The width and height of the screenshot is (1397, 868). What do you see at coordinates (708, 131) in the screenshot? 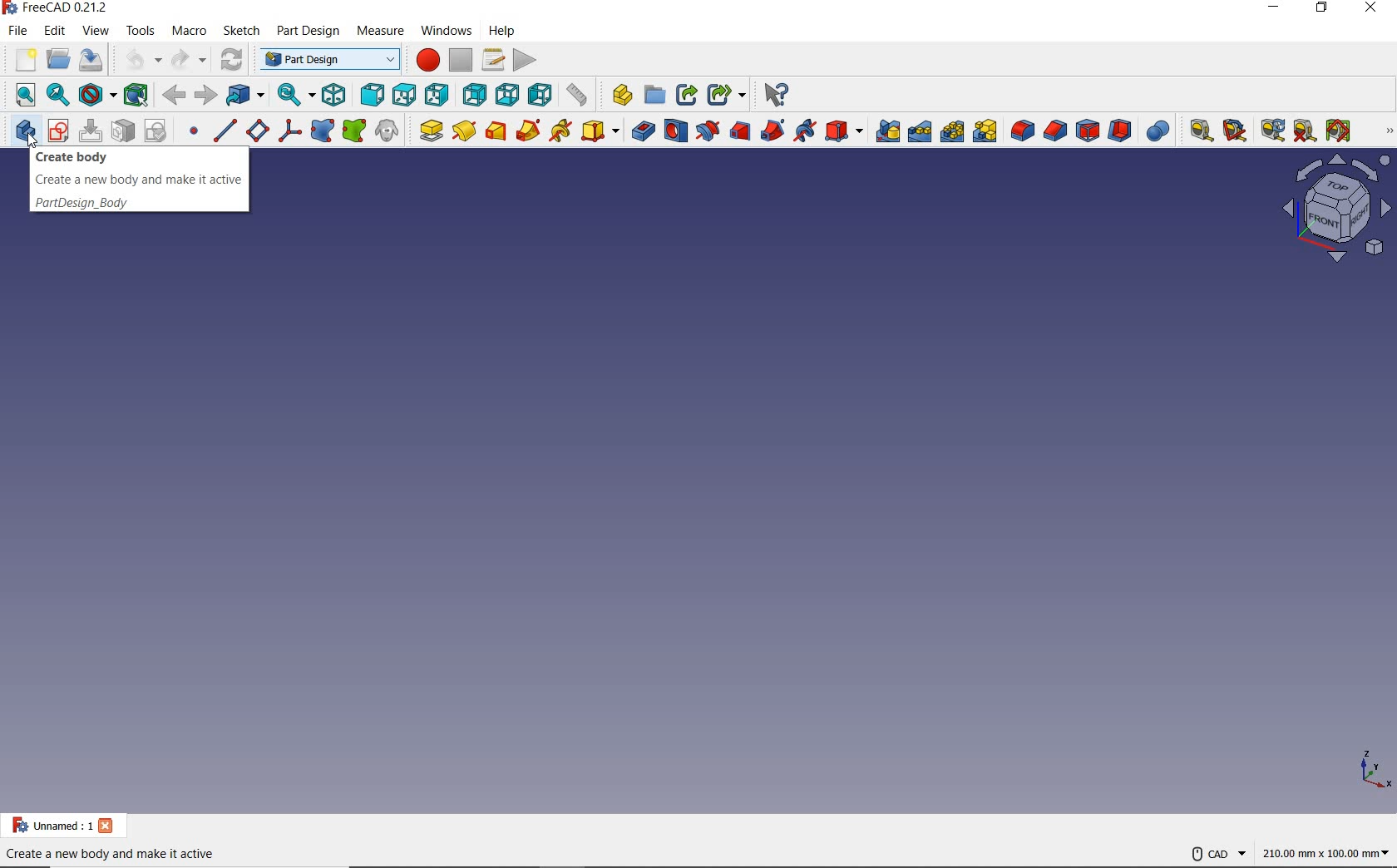
I see `GROOVE` at bounding box center [708, 131].